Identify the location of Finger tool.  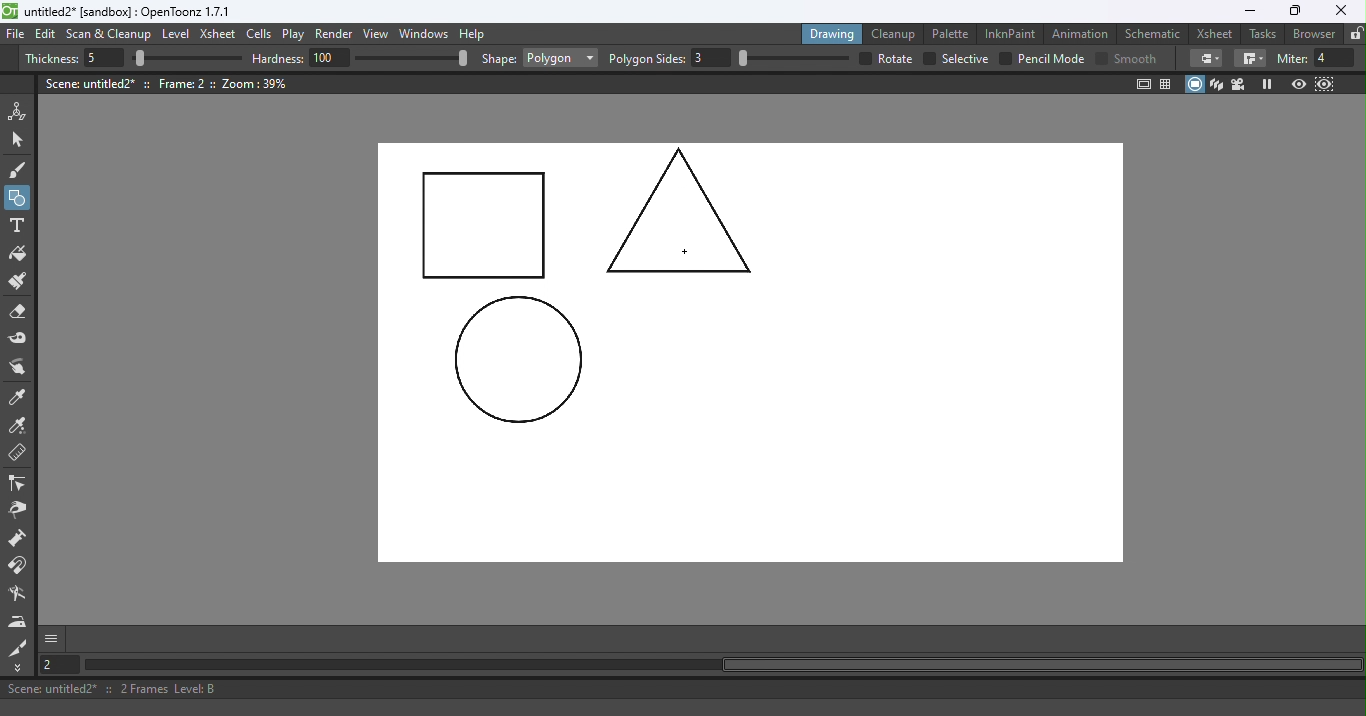
(18, 369).